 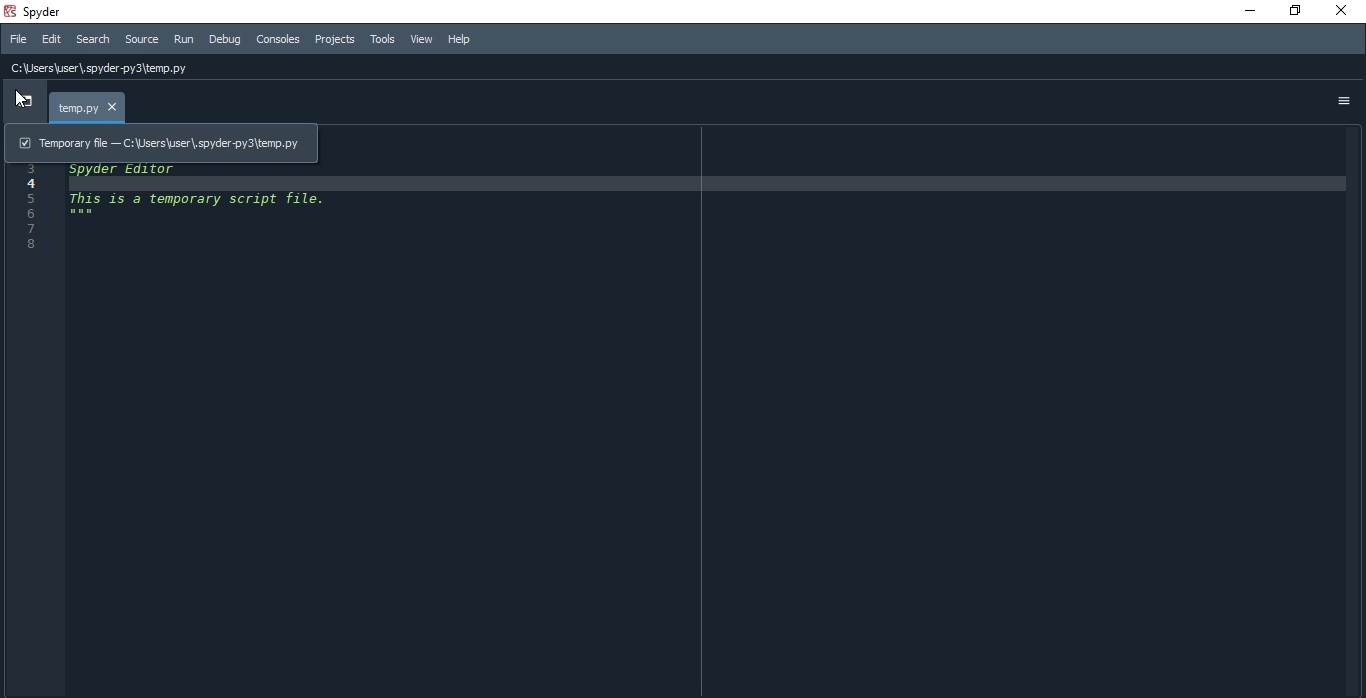 I want to click on 8, so click(x=35, y=244).